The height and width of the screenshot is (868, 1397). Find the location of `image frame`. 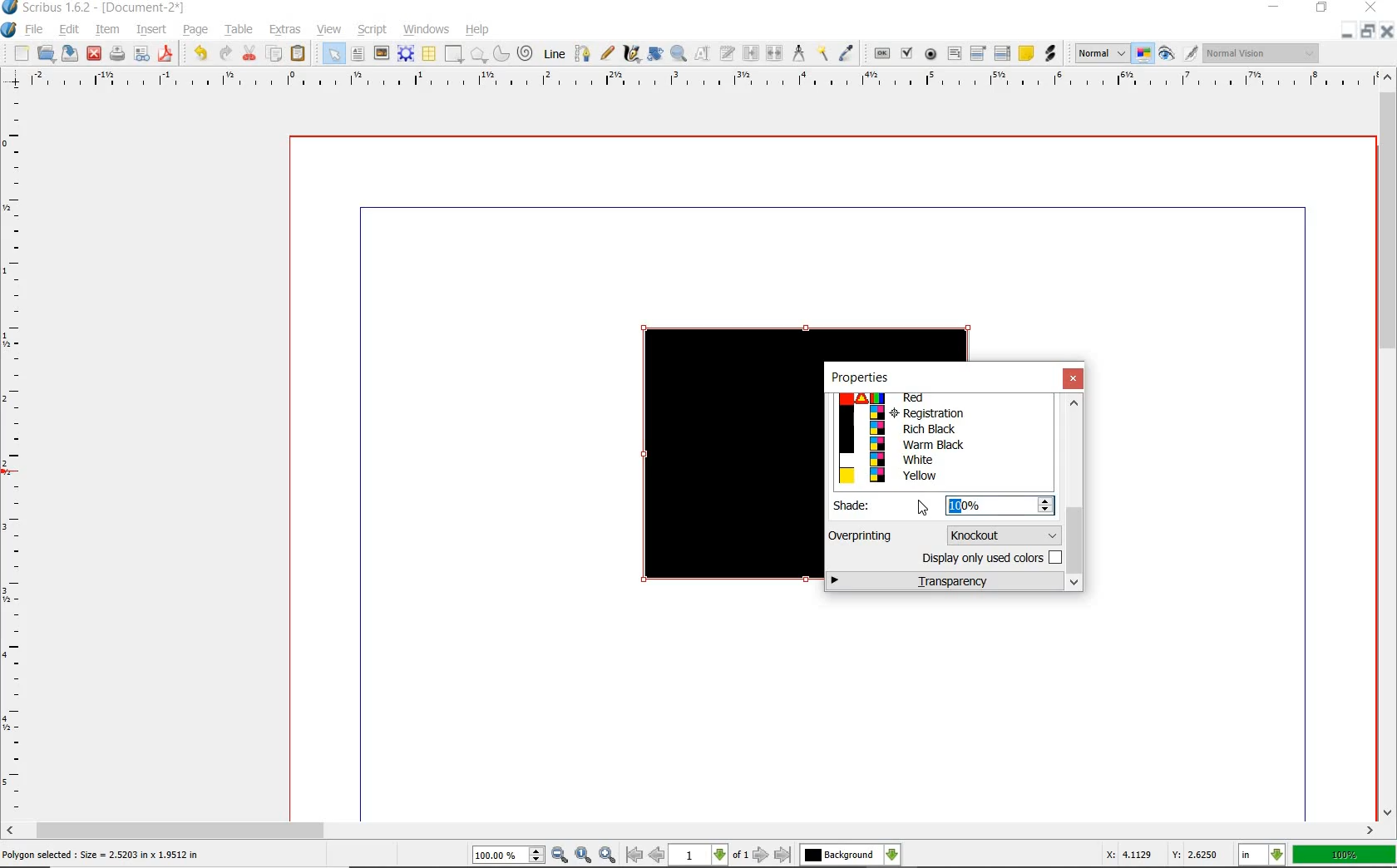

image frame is located at coordinates (383, 54).